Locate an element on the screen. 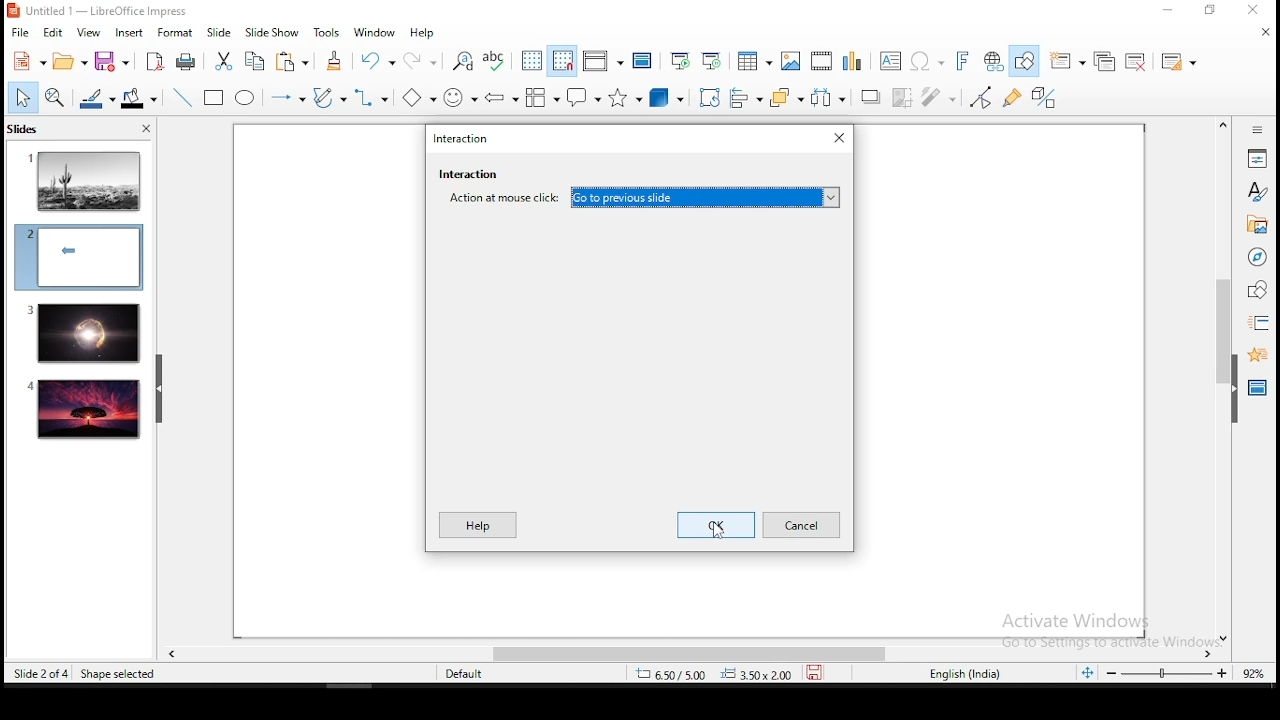  crop tool is located at coordinates (710, 98).